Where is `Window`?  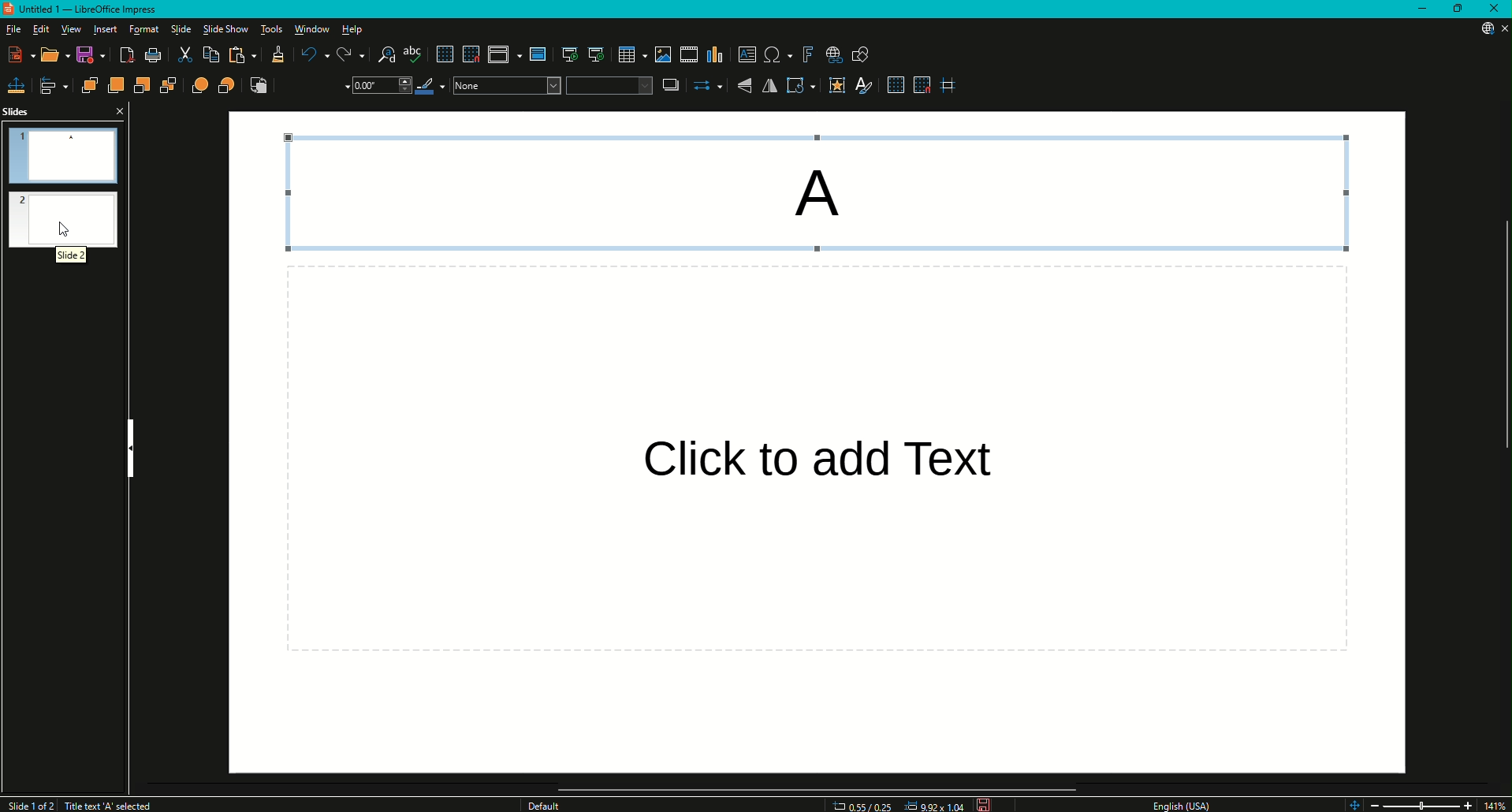
Window is located at coordinates (313, 28).